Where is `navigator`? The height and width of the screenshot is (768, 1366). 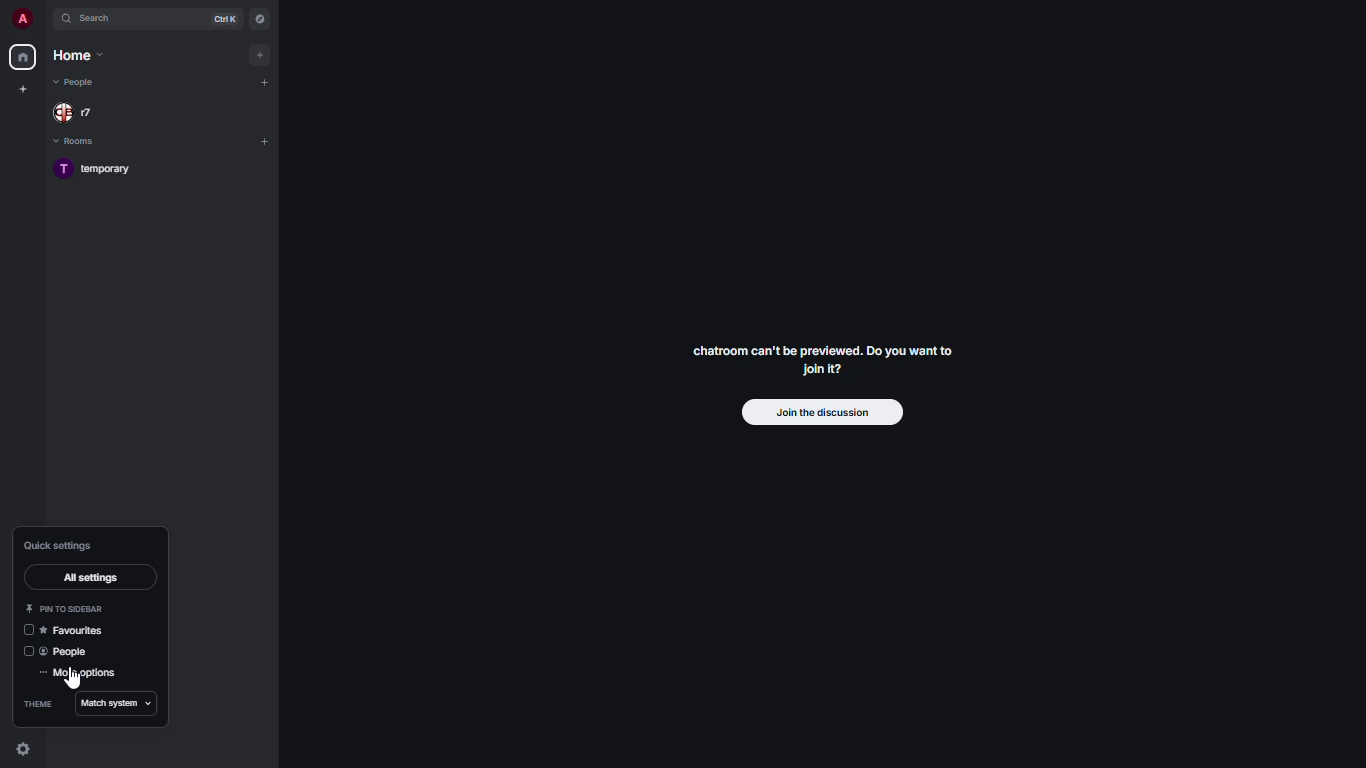 navigator is located at coordinates (262, 18).